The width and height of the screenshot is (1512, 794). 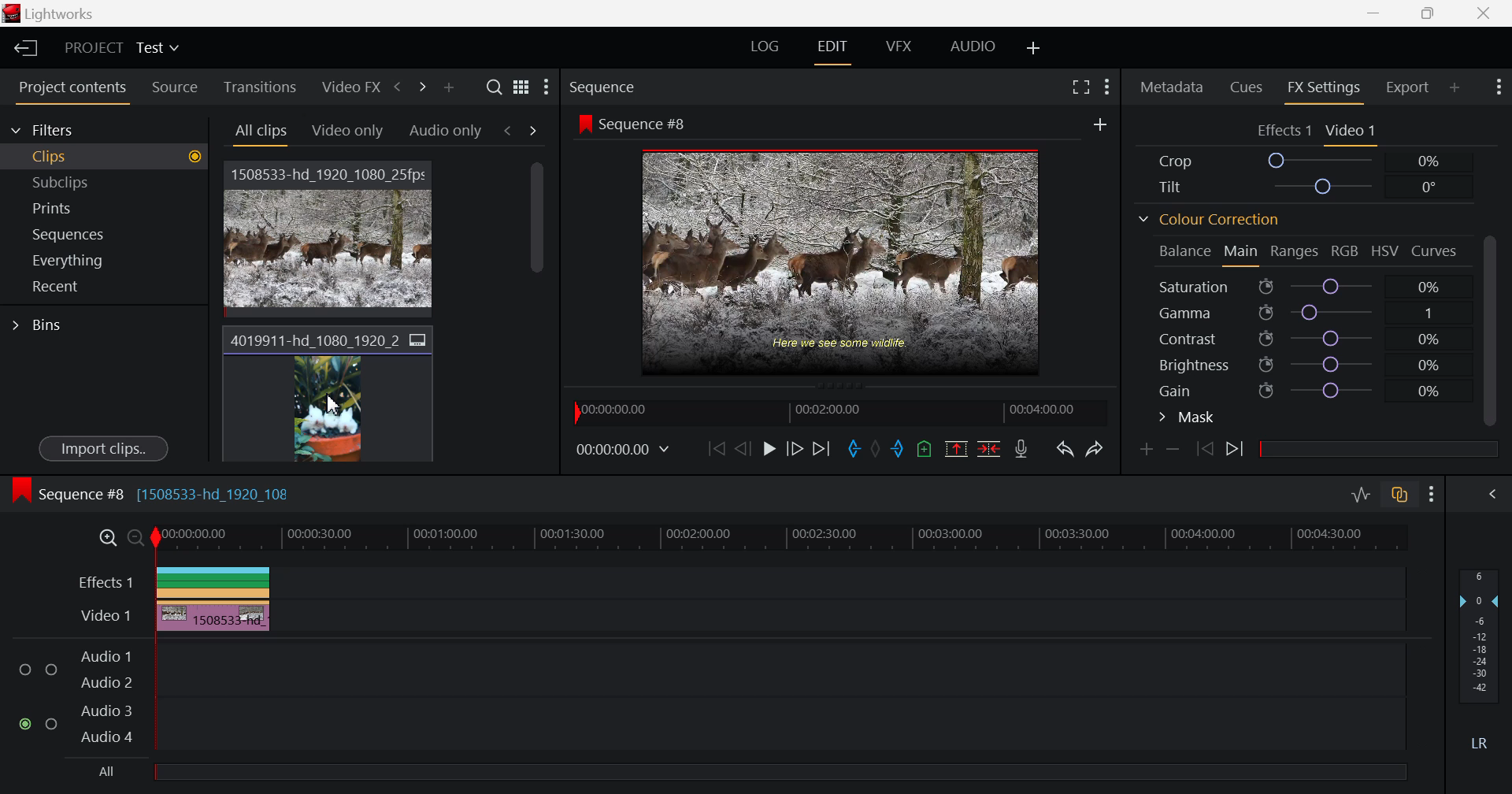 What do you see at coordinates (1171, 86) in the screenshot?
I see `Metadata` at bounding box center [1171, 86].